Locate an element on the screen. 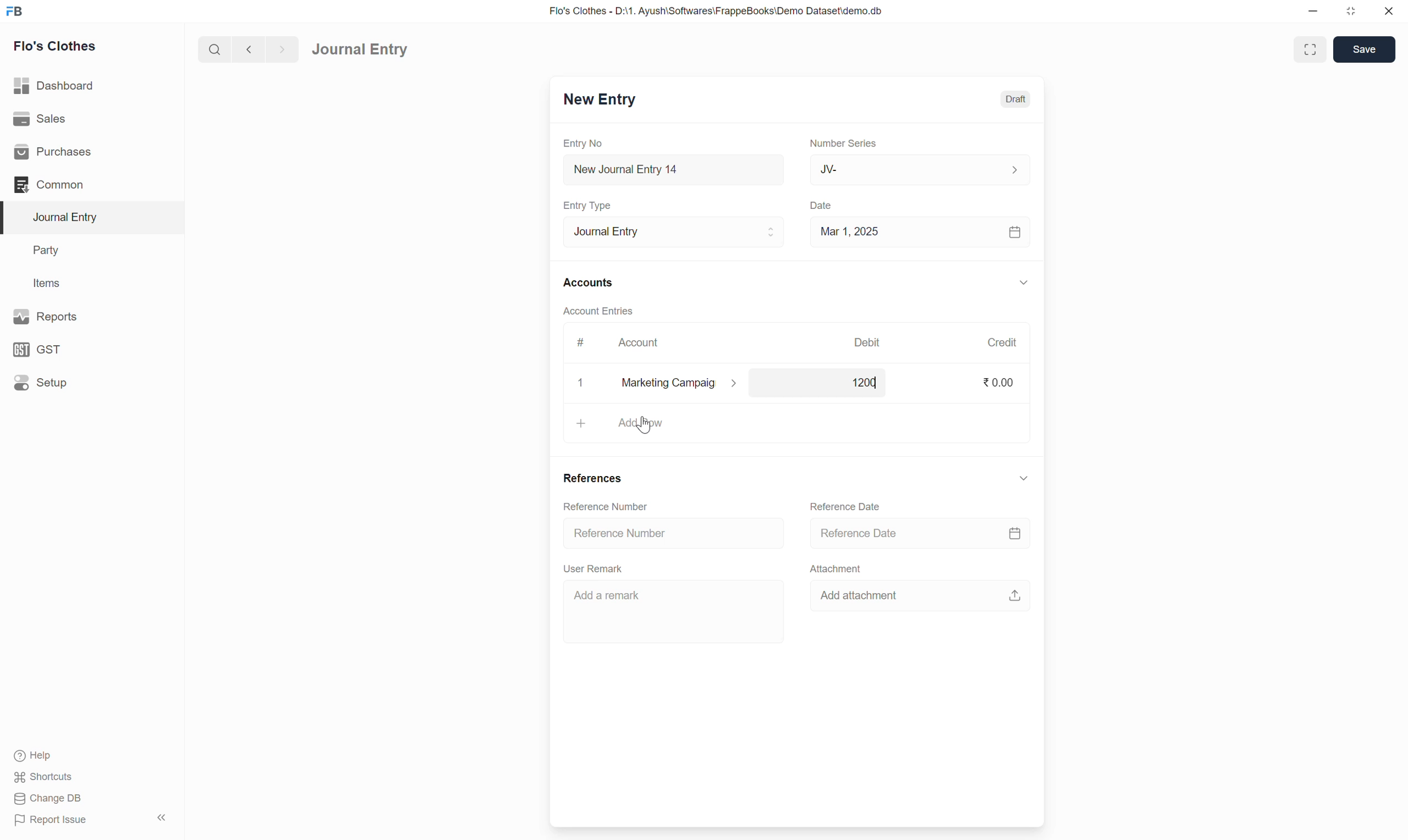 This screenshot has height=840, width=1408. Reference Number is located at coordinates (603, 506).